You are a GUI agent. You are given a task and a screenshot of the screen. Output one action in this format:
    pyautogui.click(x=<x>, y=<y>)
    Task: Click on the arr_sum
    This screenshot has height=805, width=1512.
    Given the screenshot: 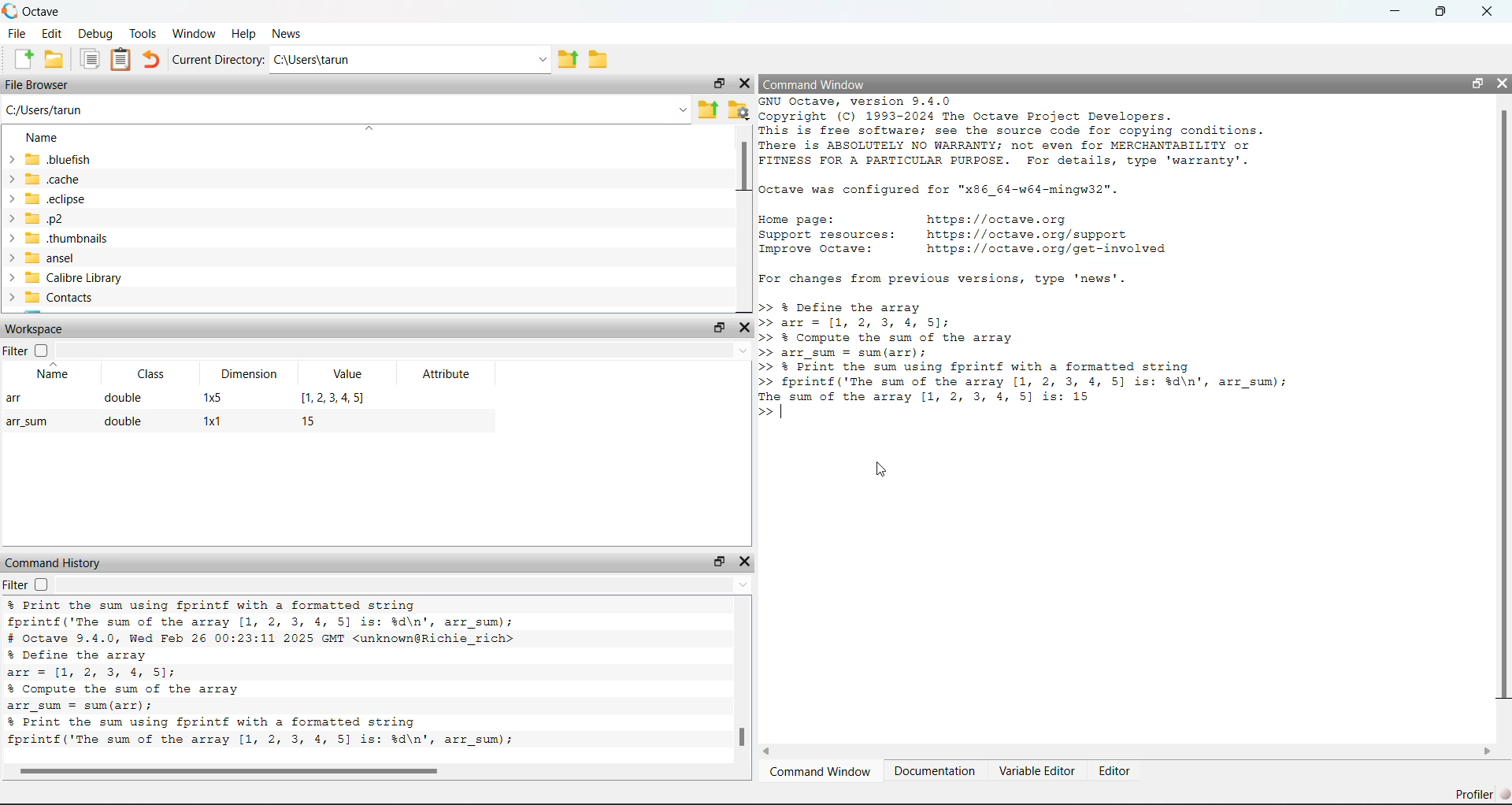 What is the action you would take?
    pyautogui.click(x=31, y=421)
    